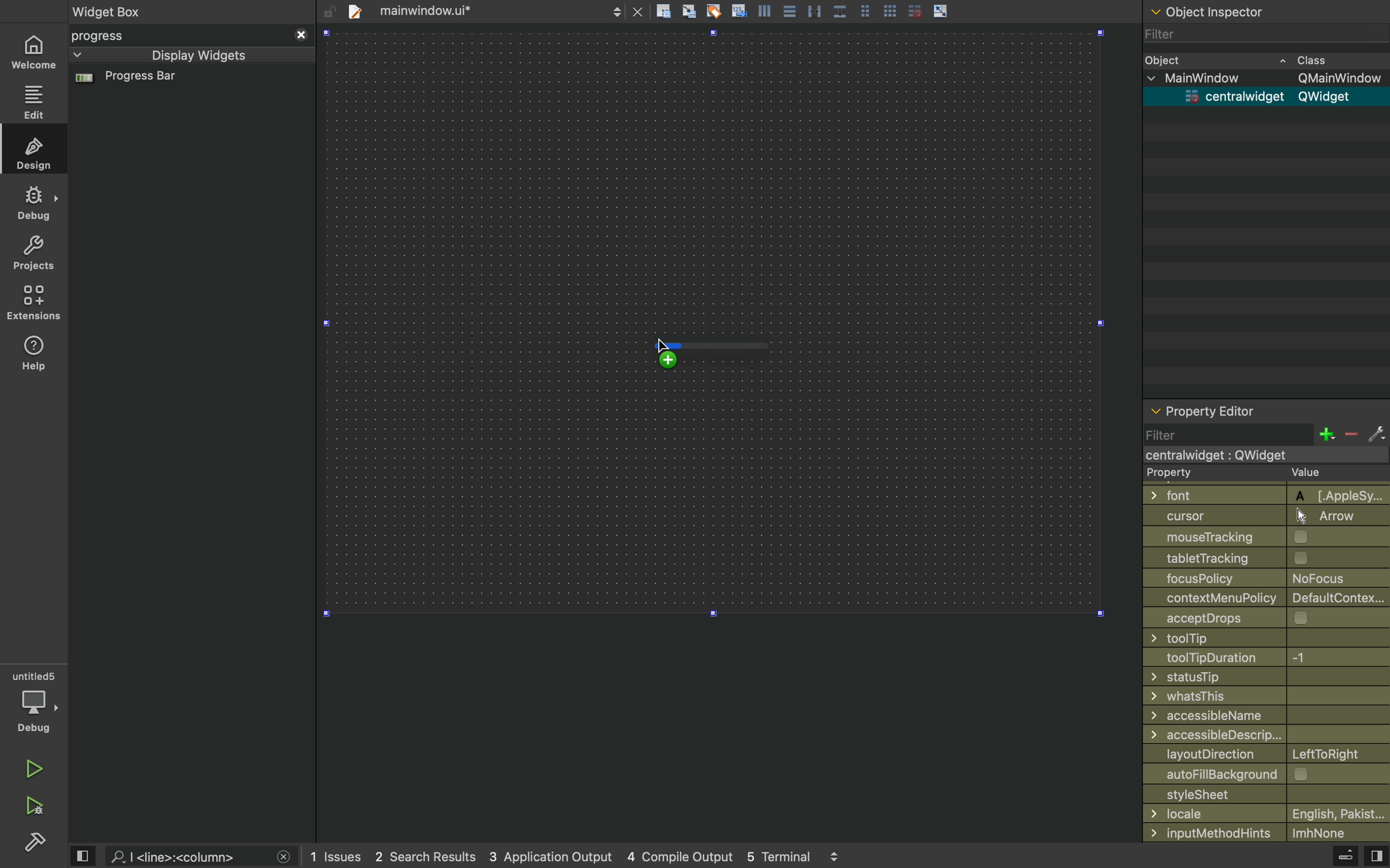  Describe the element at coordinates (1262, 96) in the screenshot. I see `centrawidget` at that location.